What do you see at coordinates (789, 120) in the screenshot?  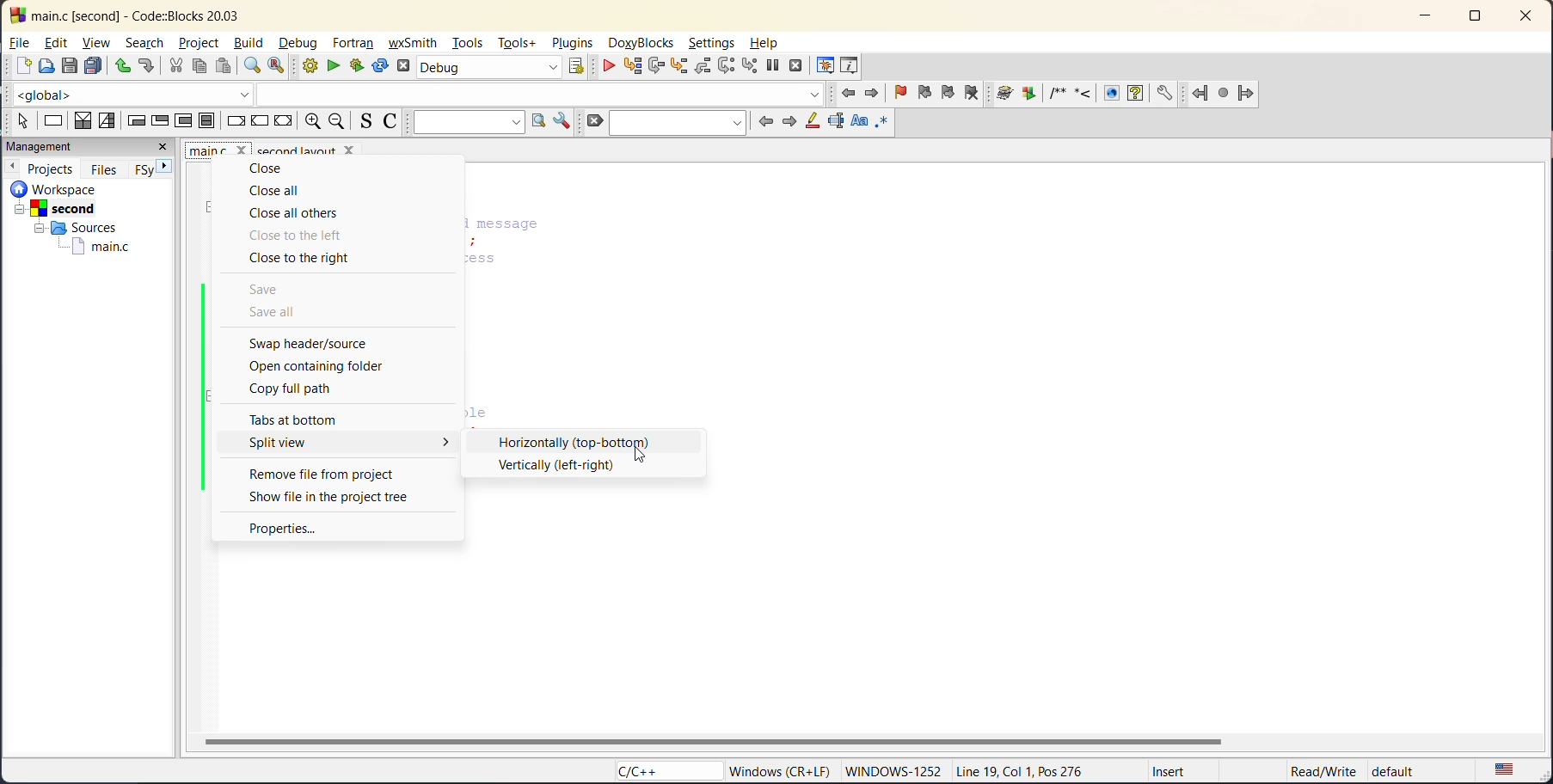 I see `next` at bounding box center [789, 120].